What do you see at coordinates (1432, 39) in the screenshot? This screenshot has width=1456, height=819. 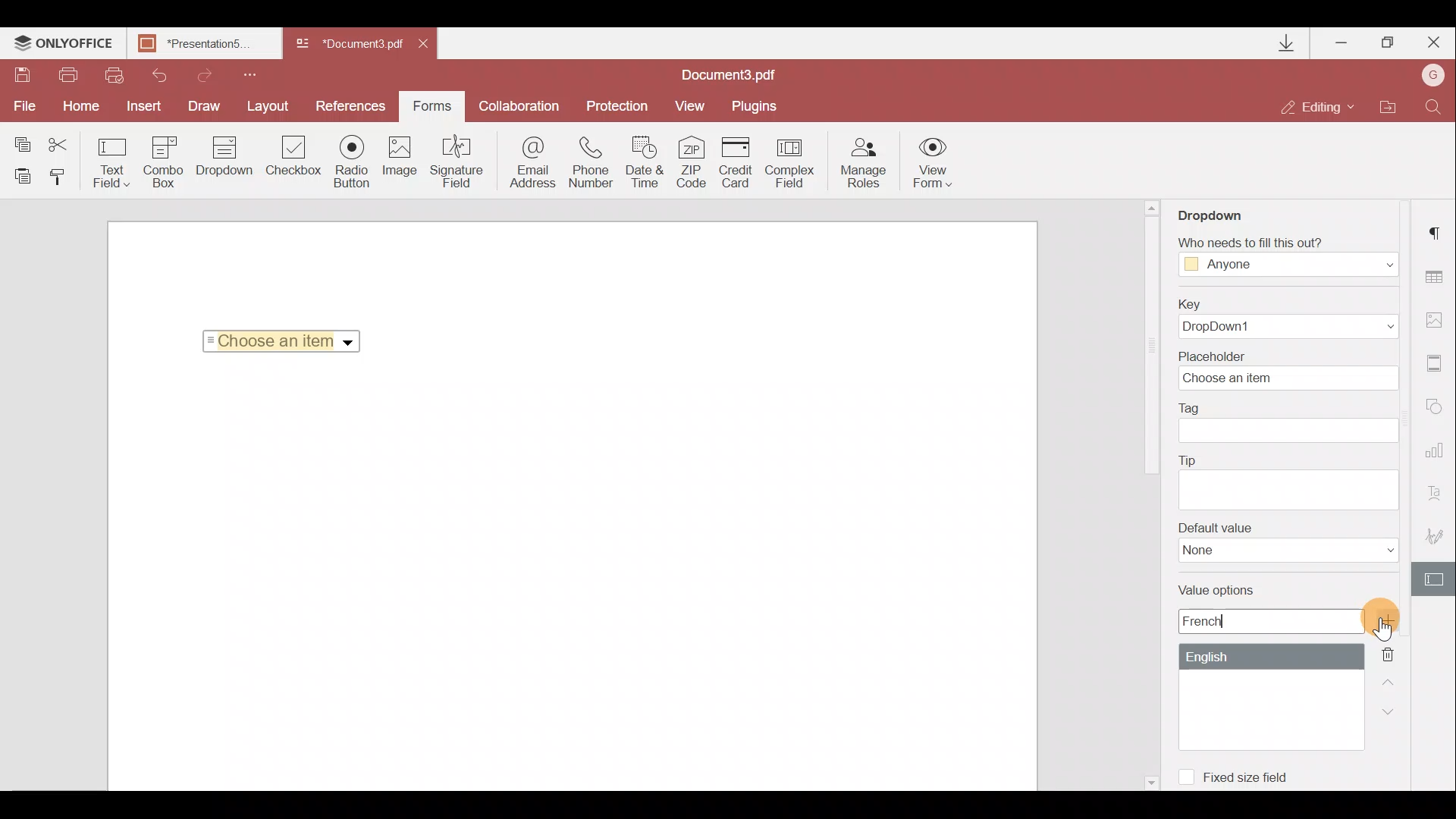 I see `Close` at bounding box center [1432, 39].